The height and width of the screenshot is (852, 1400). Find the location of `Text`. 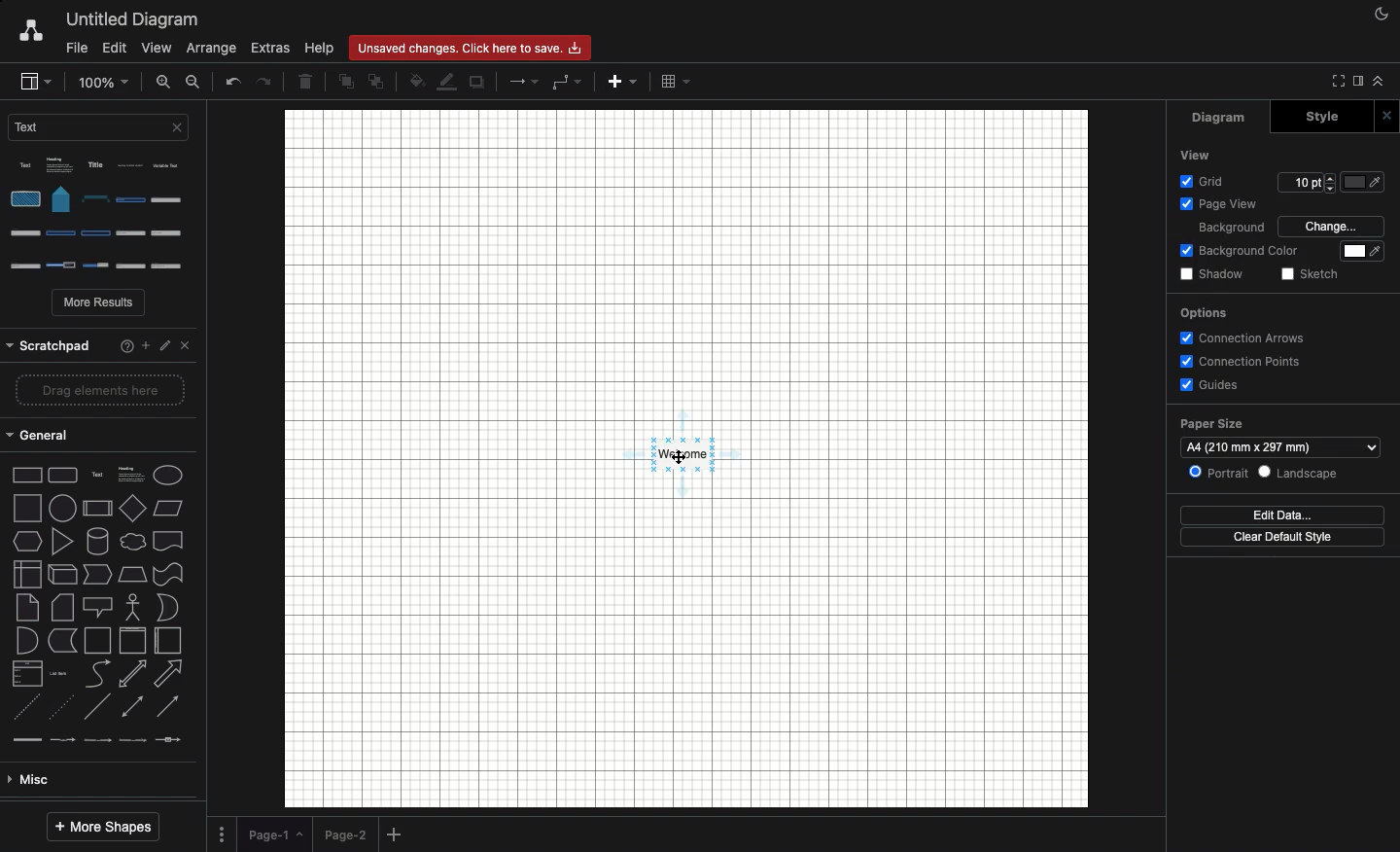

Text is located at coordinates (102, 132).